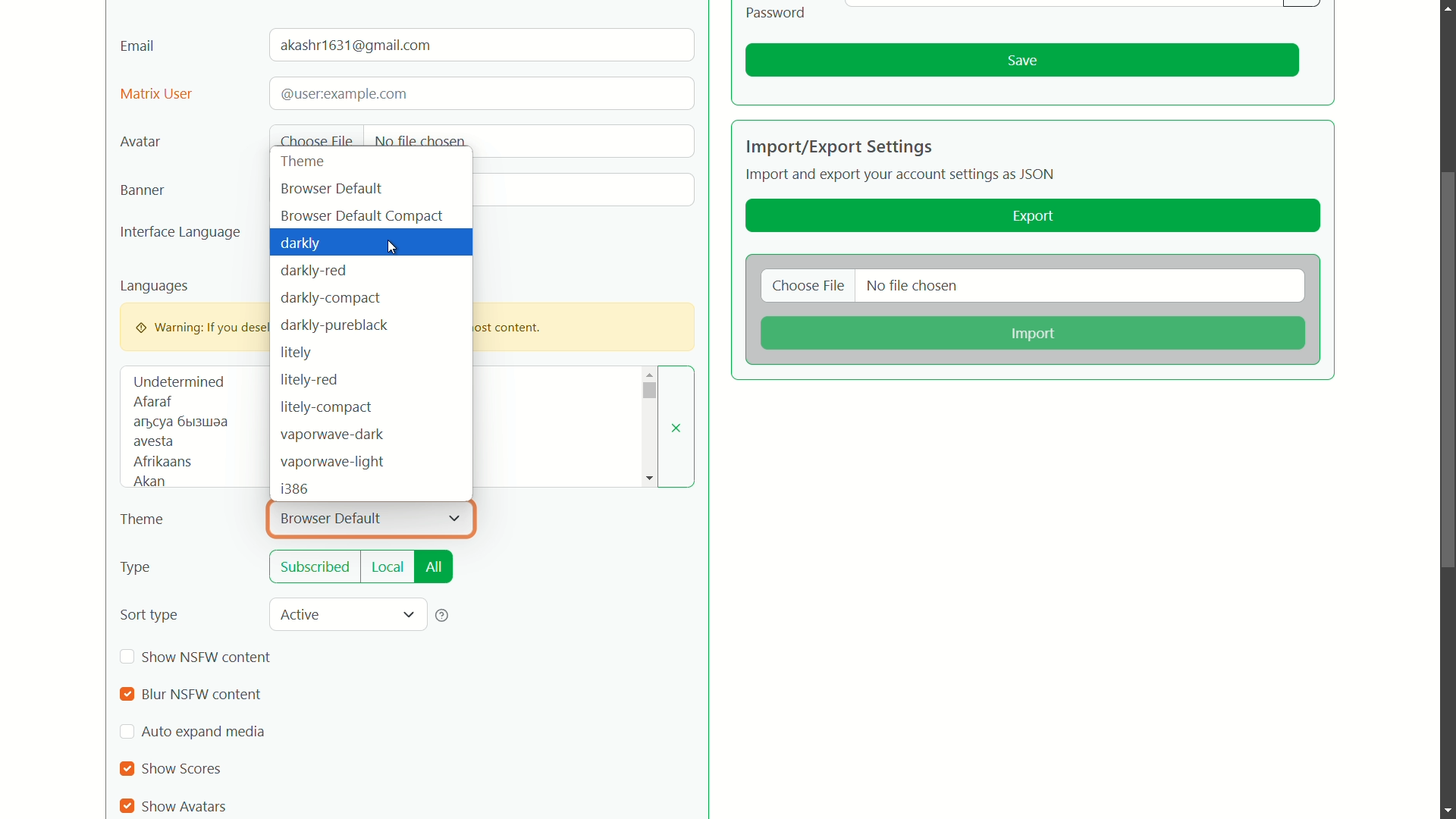 The height and width of the screenshot is (819, 1456). I want to click on subscribed, so click(316, 567).